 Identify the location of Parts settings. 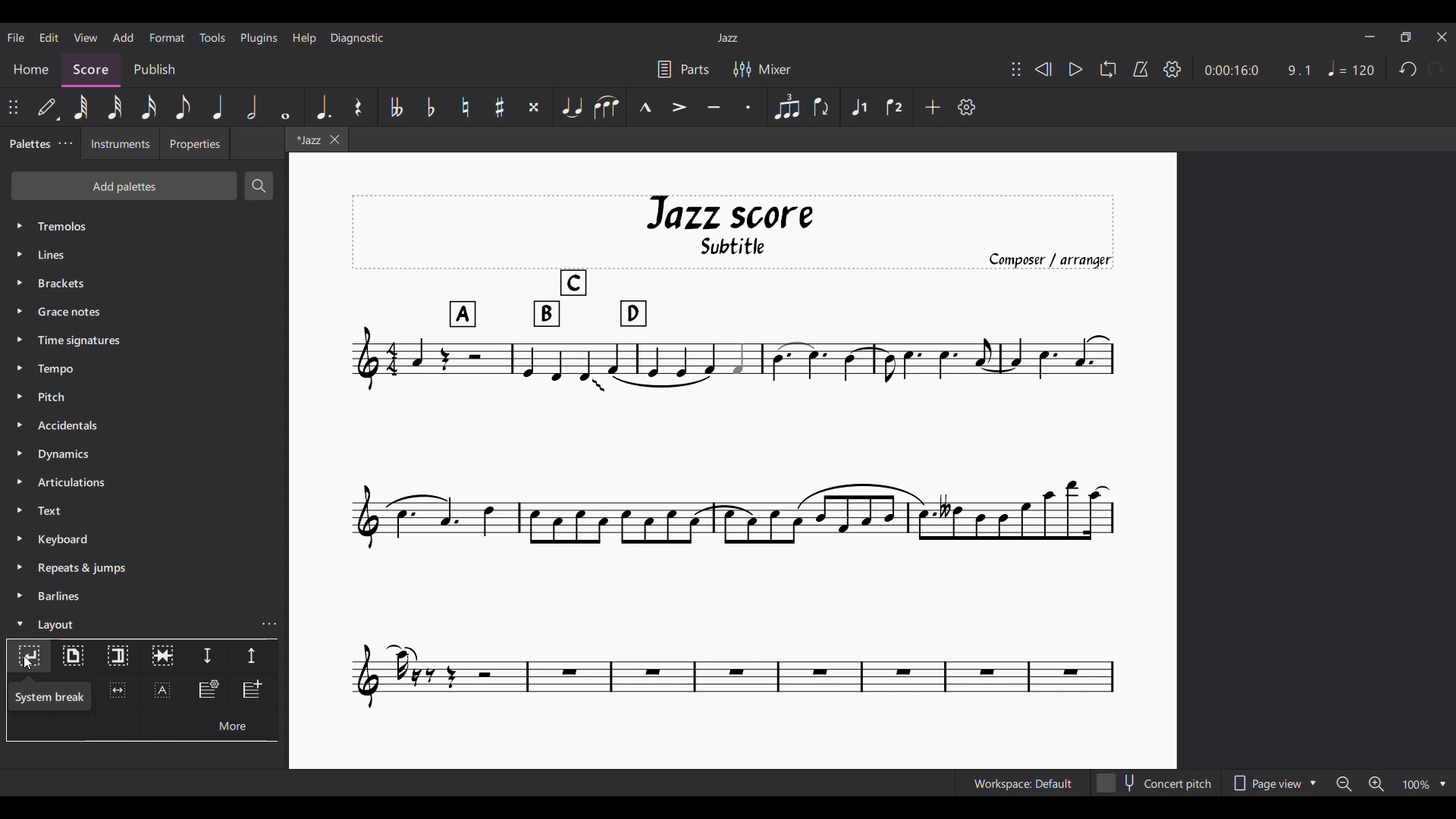
(683, 70).